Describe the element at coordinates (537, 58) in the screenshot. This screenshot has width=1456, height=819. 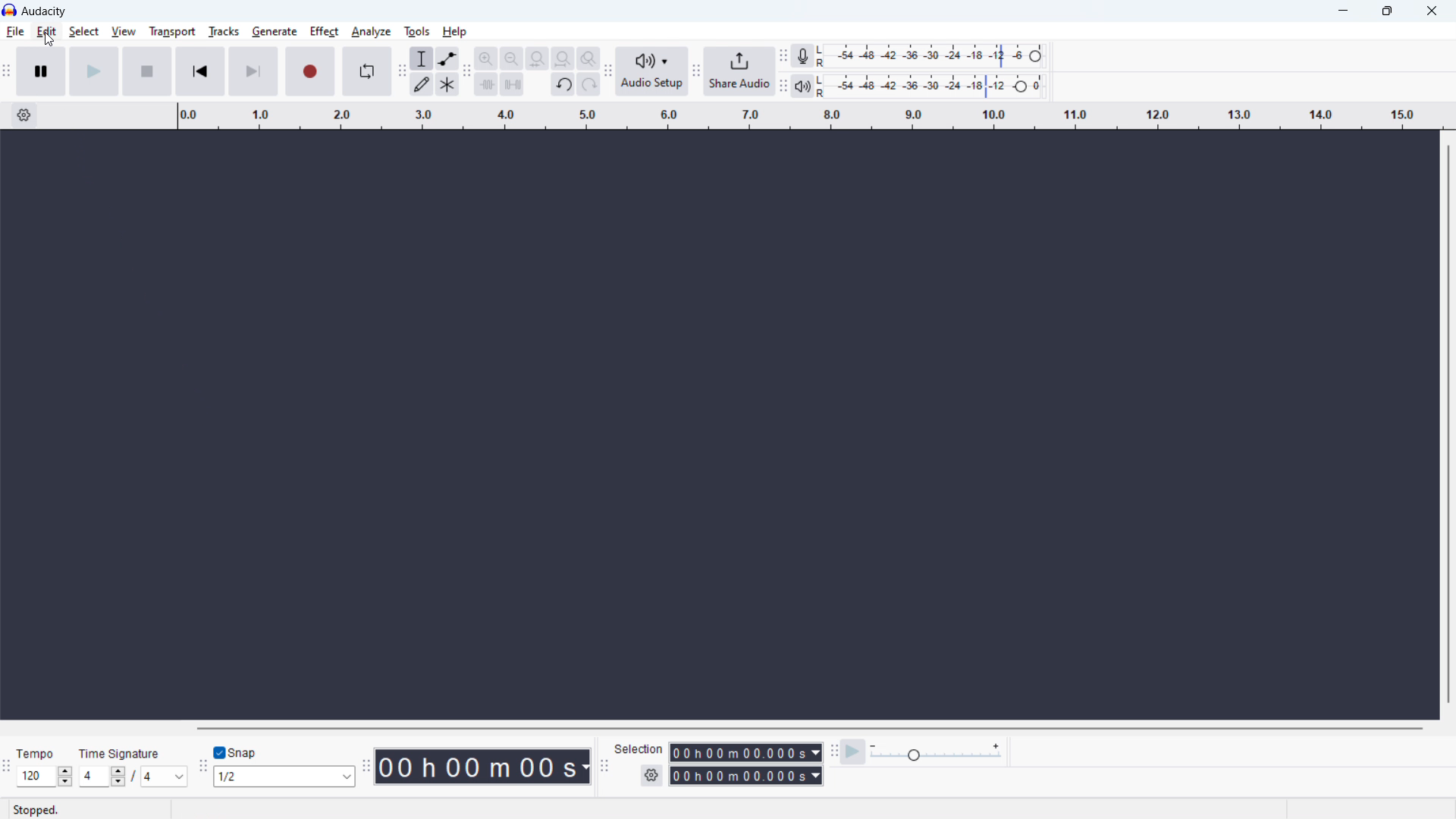
I see `fit selection to width` at that location.